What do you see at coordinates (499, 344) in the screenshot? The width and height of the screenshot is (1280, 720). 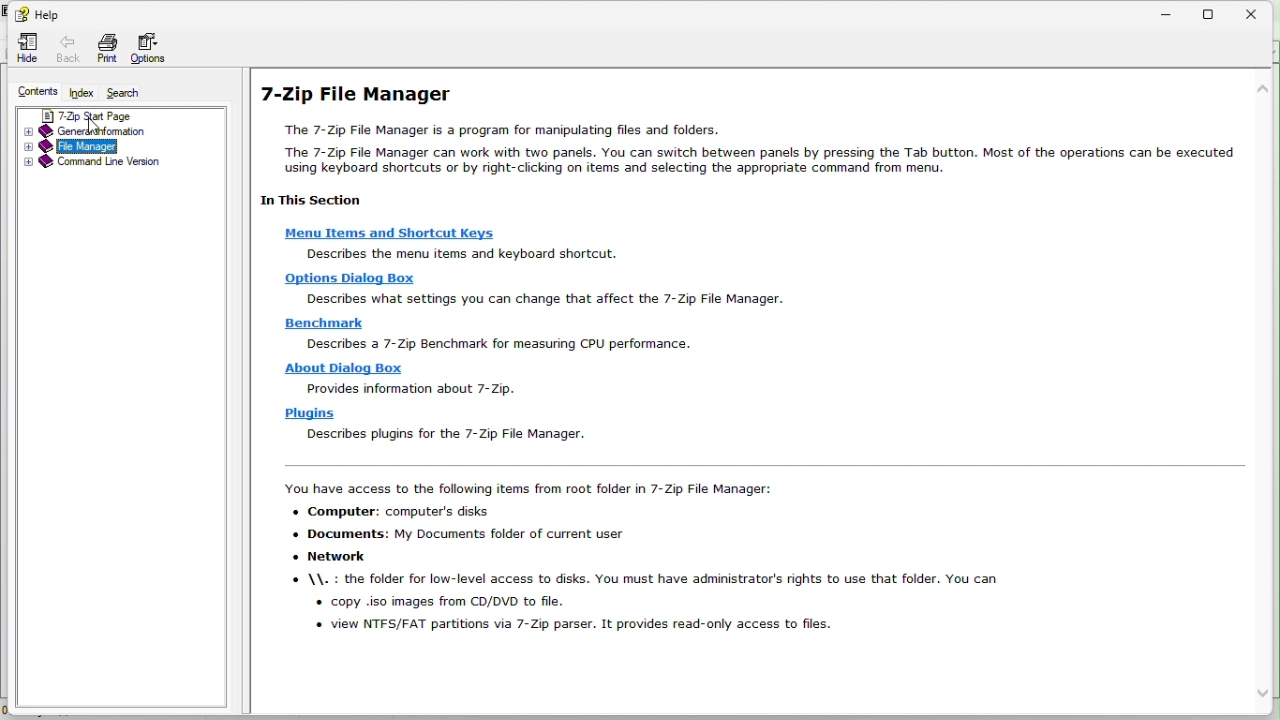 I see `Describes a 7-Zip Benchmark for measuring CPU performance` at bounding box center [499, 344].